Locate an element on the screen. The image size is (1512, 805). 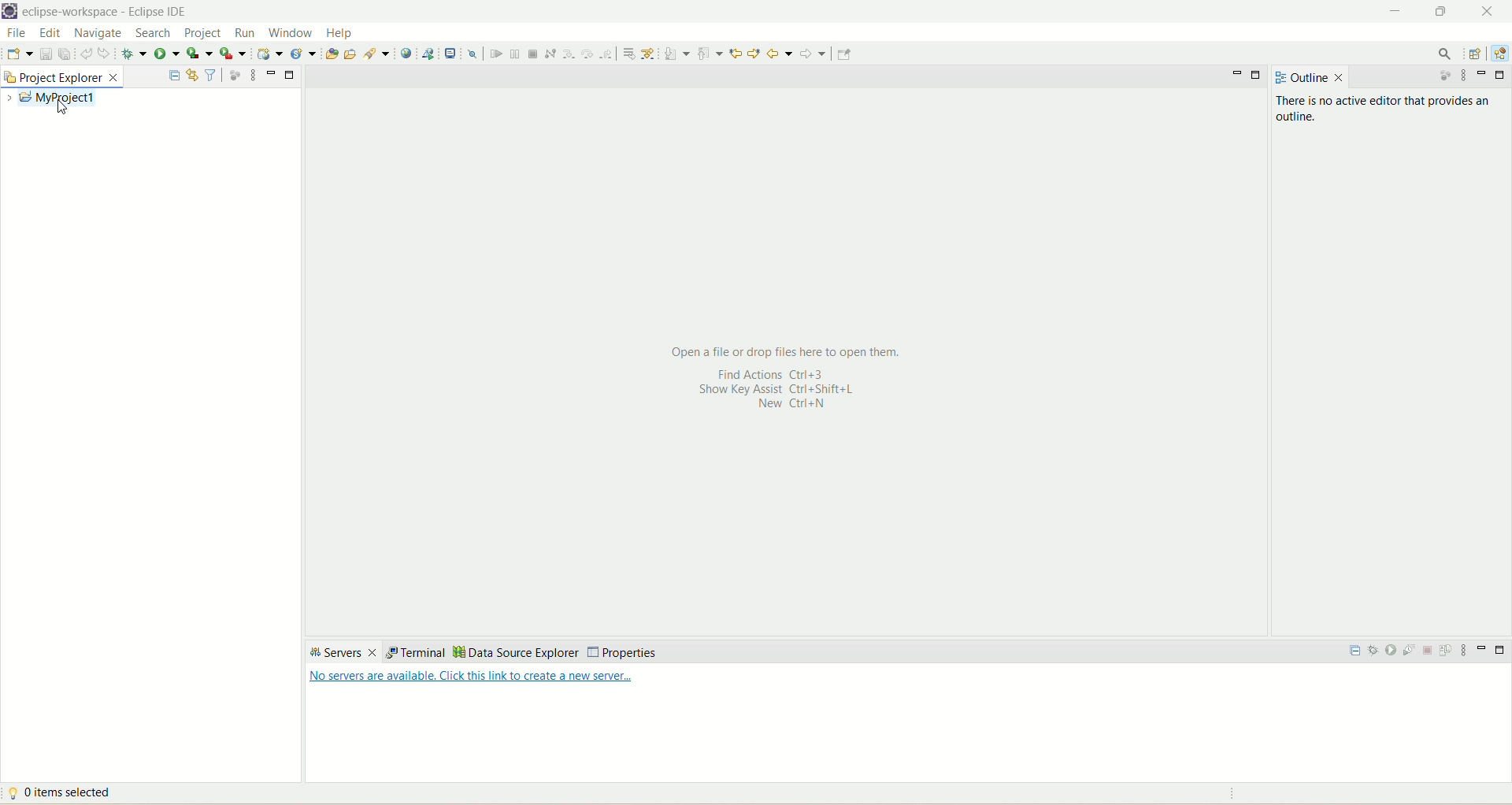
project is located at coordinates (204, 33).